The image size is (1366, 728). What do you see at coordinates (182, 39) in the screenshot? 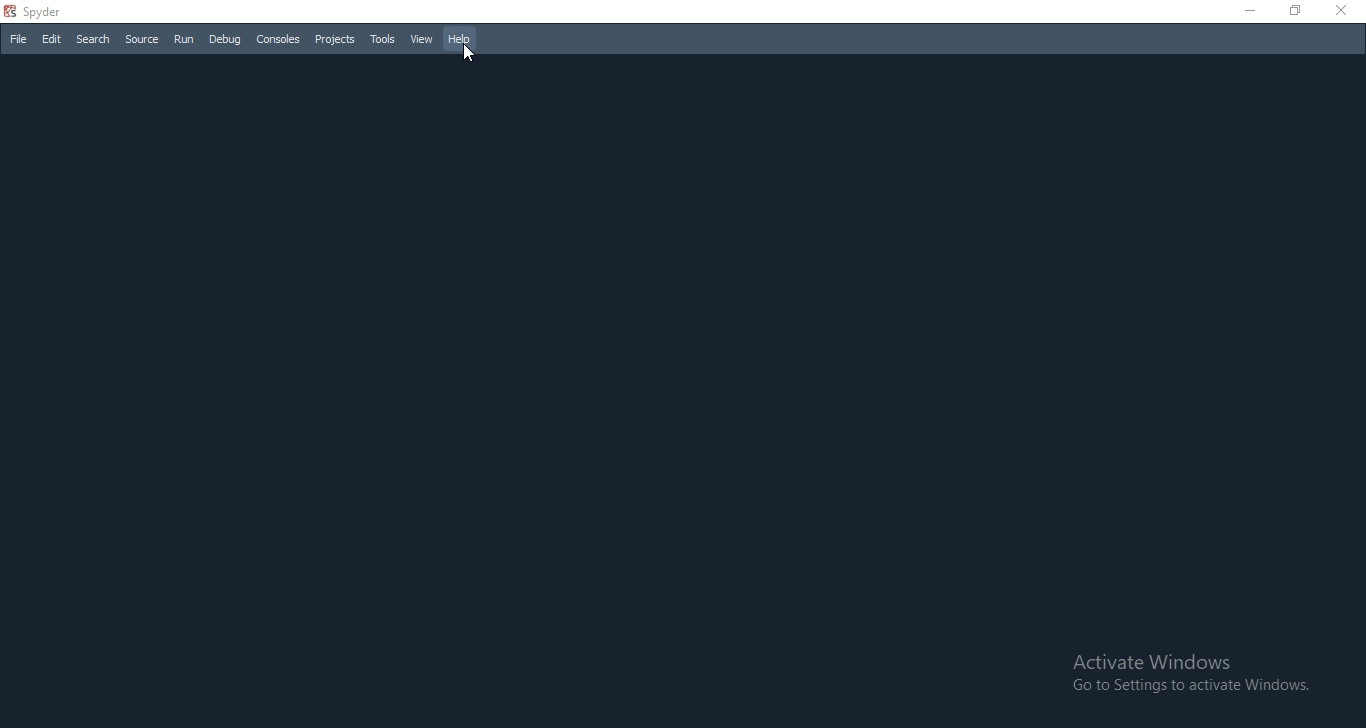
I see `Run` at bounding box center [182, 39].